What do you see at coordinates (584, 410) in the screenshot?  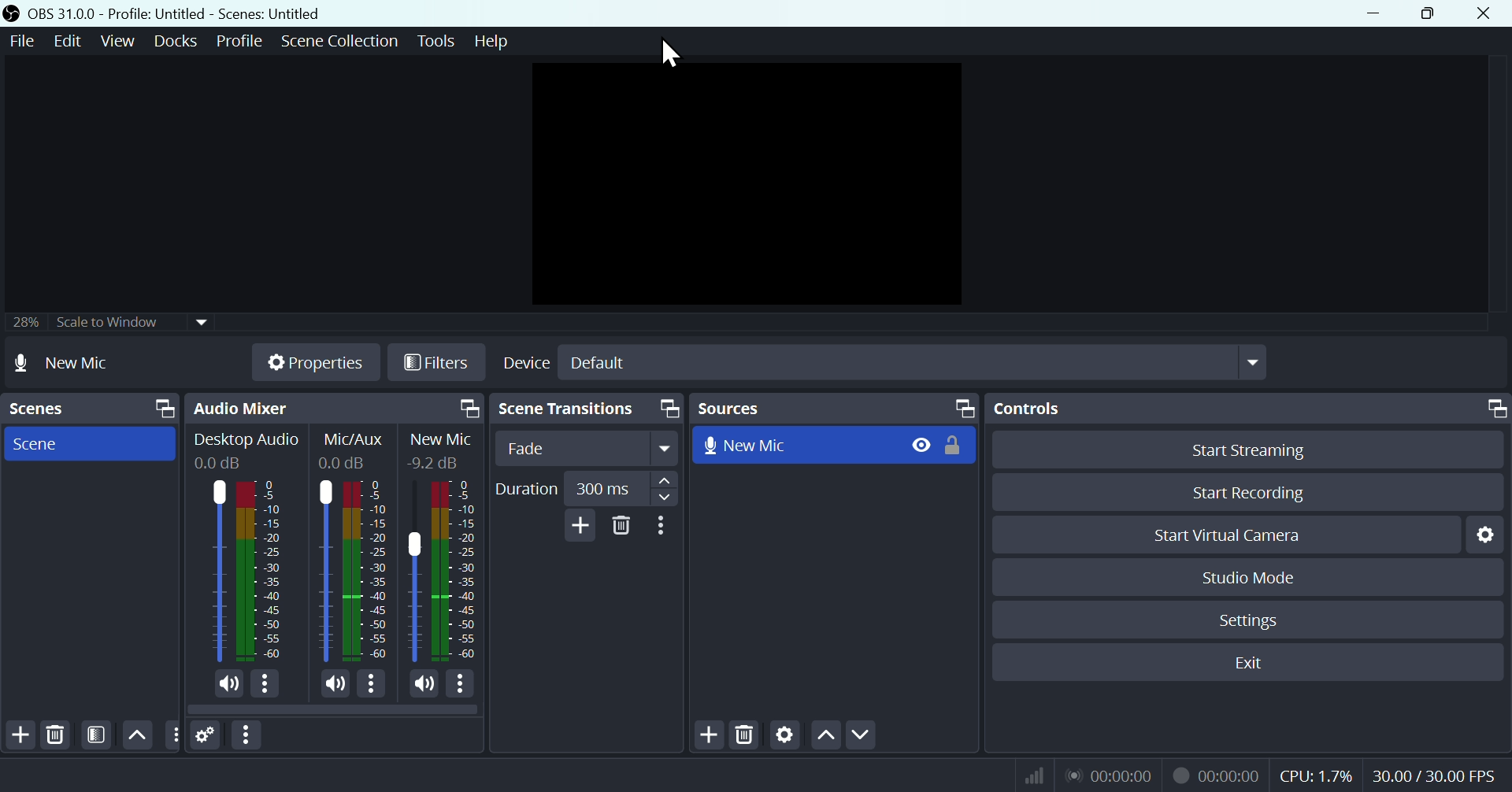 I see `Scene transitions` at bounding box center [584, 410].